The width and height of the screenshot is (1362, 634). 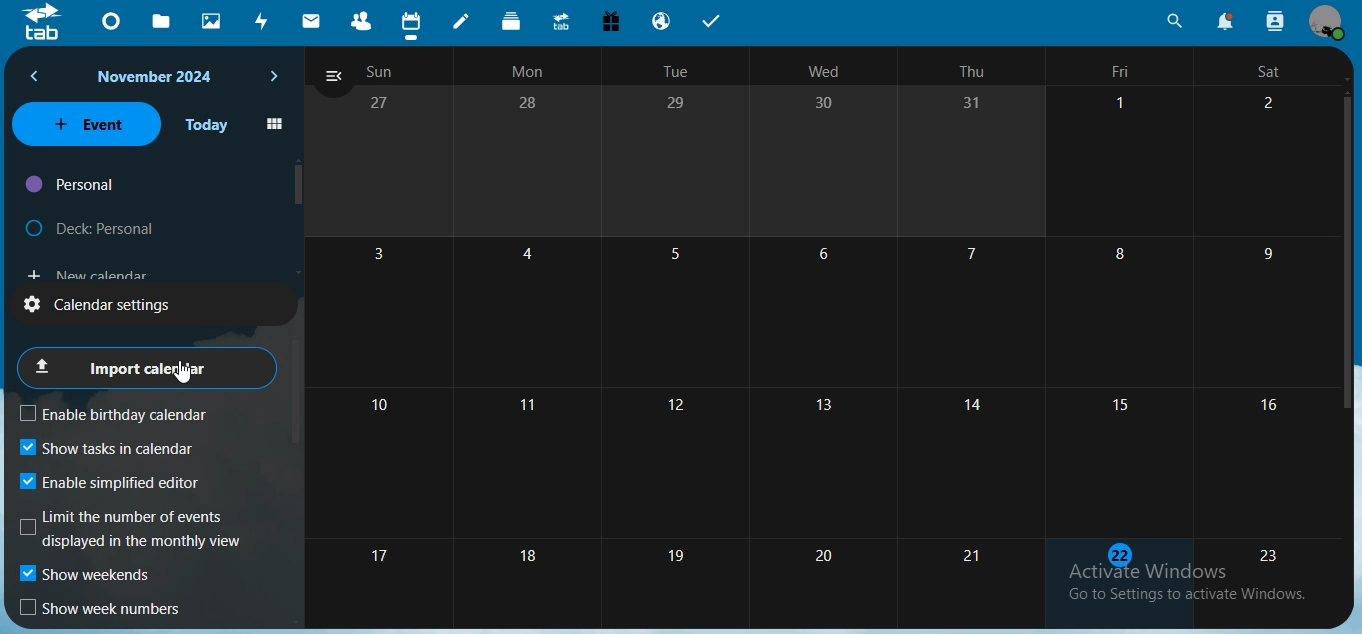 I want to click on close navigation, so click(x=333, y=78).